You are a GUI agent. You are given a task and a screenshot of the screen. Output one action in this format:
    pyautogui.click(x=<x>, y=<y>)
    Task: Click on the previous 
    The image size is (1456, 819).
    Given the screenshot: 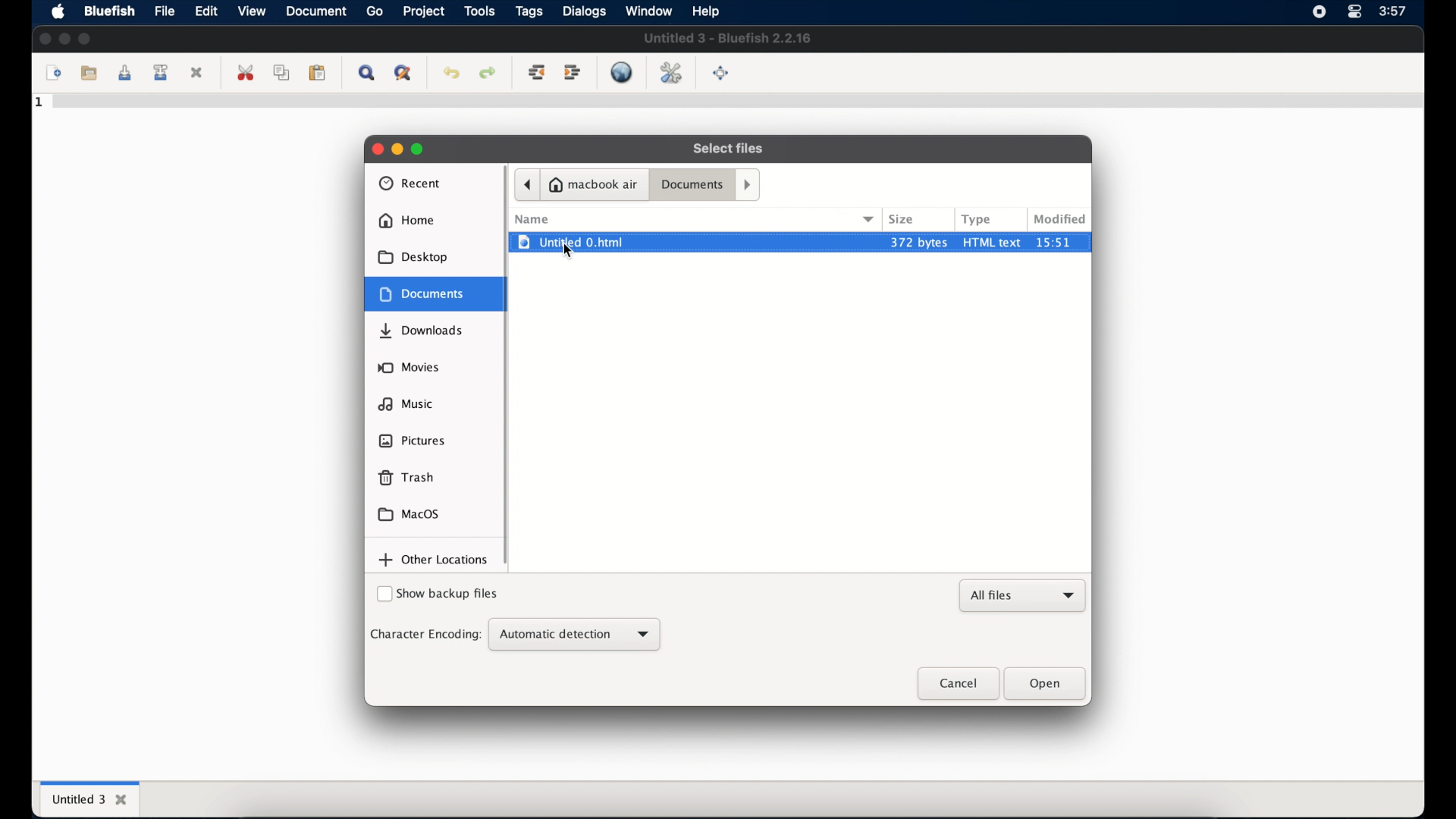 What is the action you would take?
    pyautogui.click(x=526, y=184)
    